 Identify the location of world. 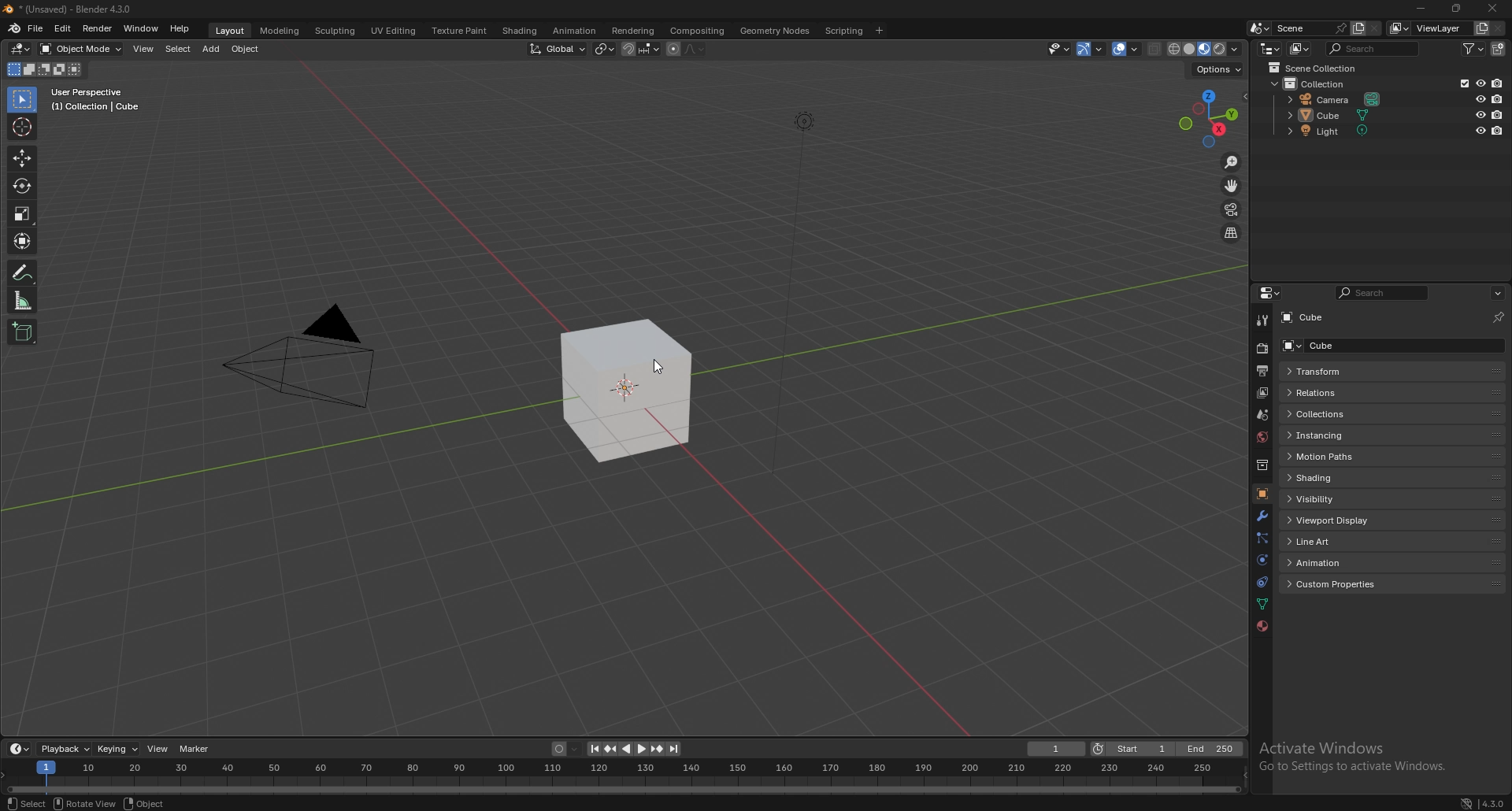
(1261, 437).